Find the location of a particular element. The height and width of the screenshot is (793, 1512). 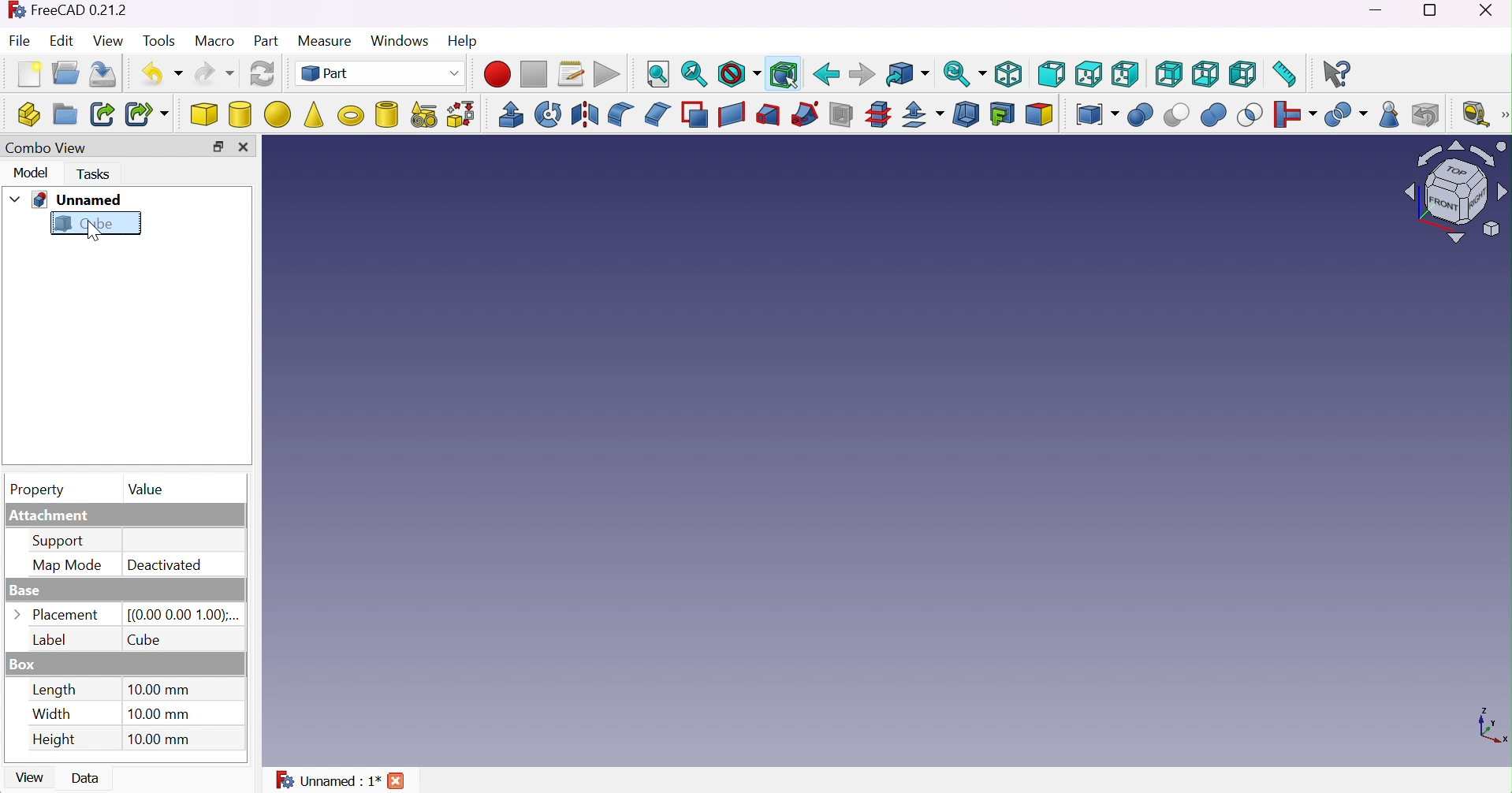

New is located at coordinates (30, 77).